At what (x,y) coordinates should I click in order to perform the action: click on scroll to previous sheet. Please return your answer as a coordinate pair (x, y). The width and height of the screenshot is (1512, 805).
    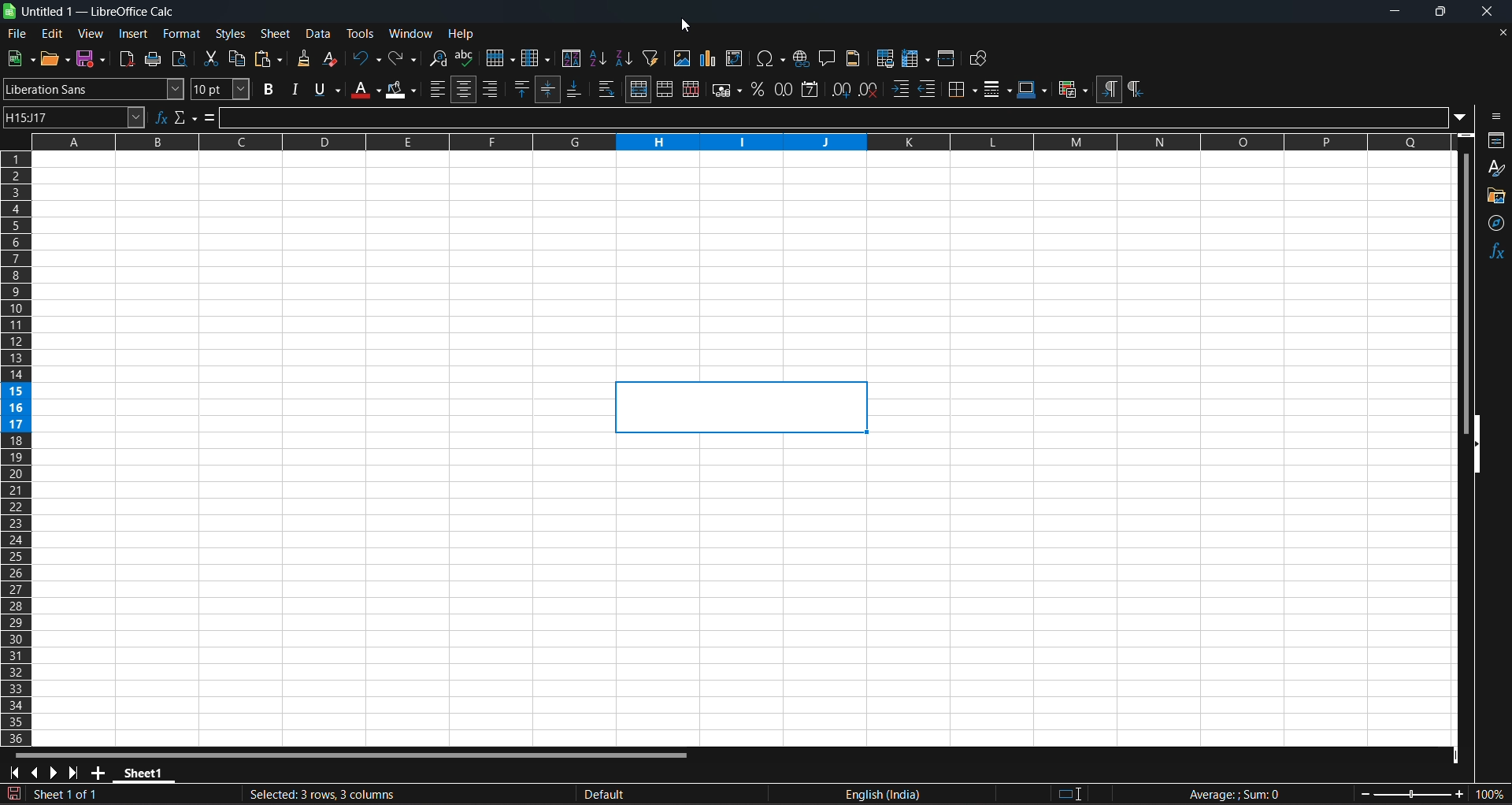
    Looking at the image, I should click on (38, 772).